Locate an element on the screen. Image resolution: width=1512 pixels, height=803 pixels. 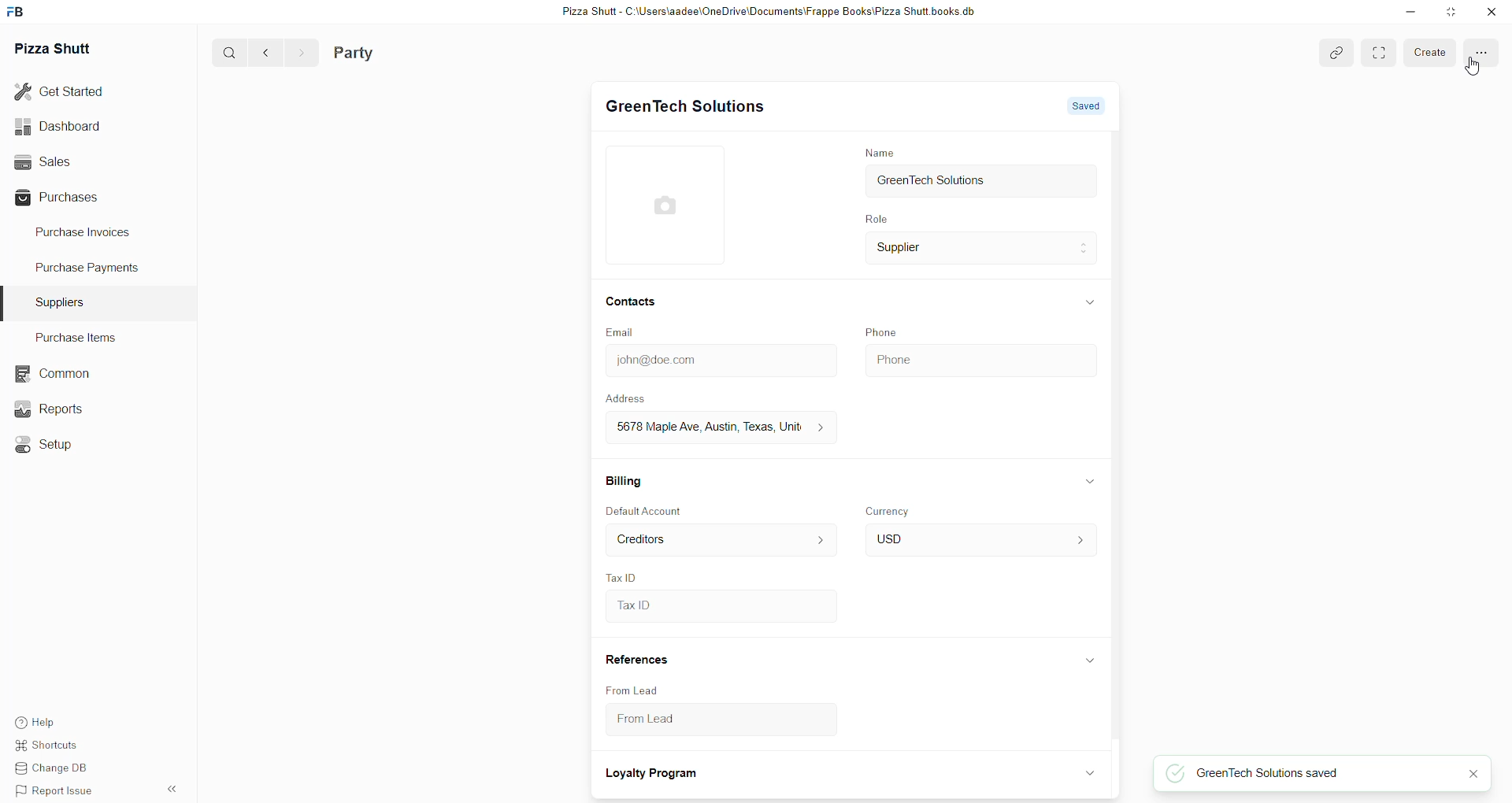
J Report Issue is located at coordinates (57, 792).